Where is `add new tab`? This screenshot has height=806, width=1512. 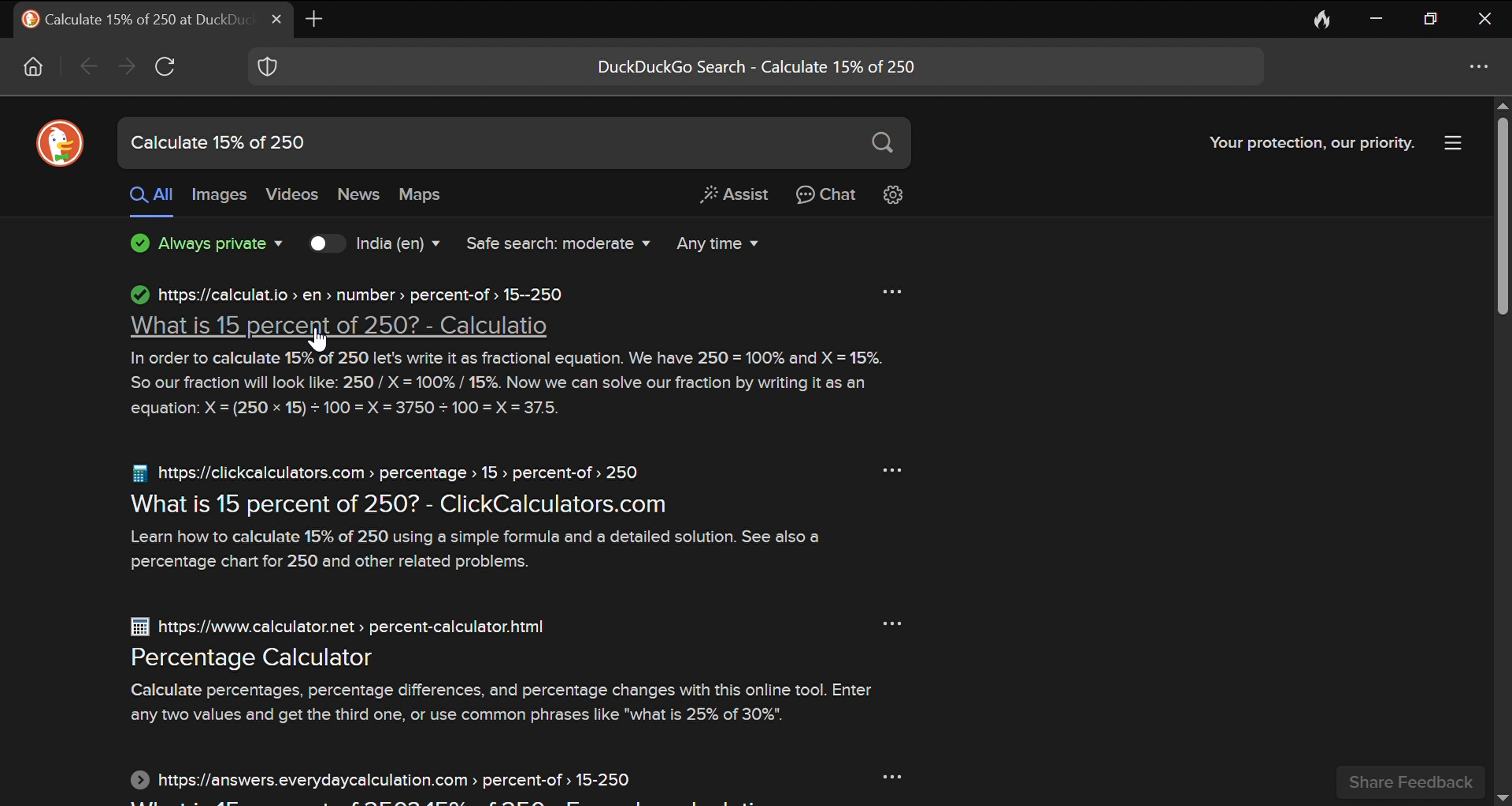
add new tab is located at coordinates (315, 17).